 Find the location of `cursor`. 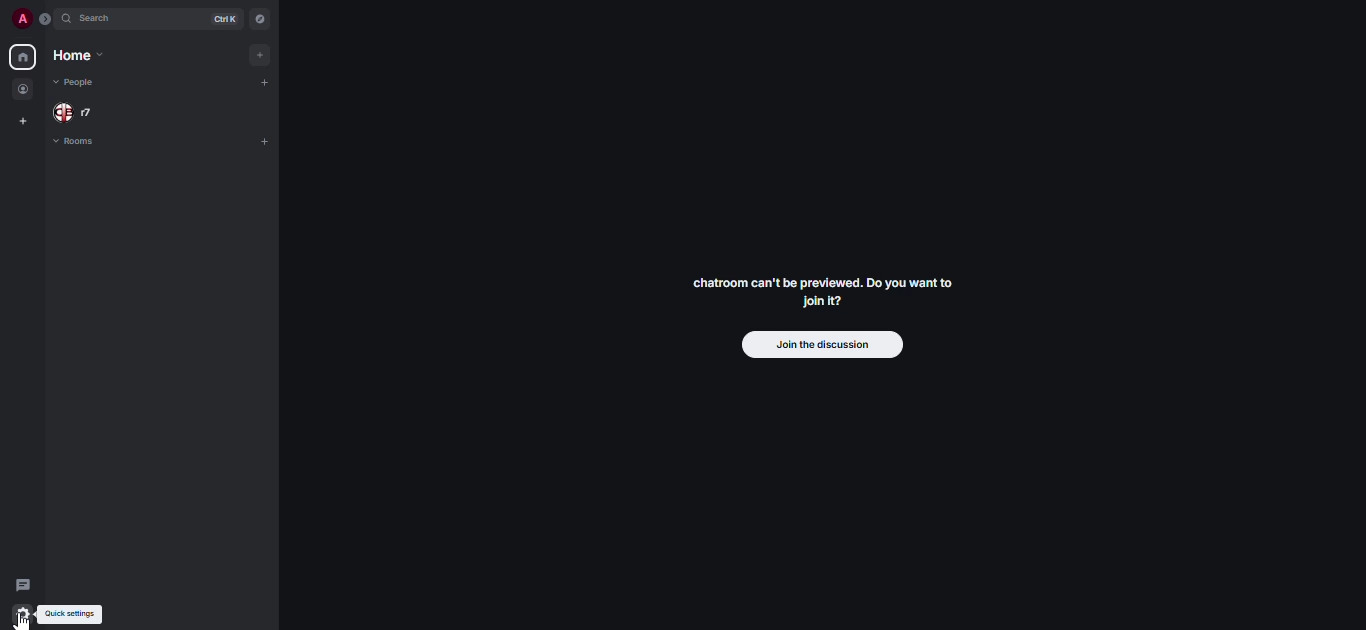

cursor is located at coordinates (25, 622).